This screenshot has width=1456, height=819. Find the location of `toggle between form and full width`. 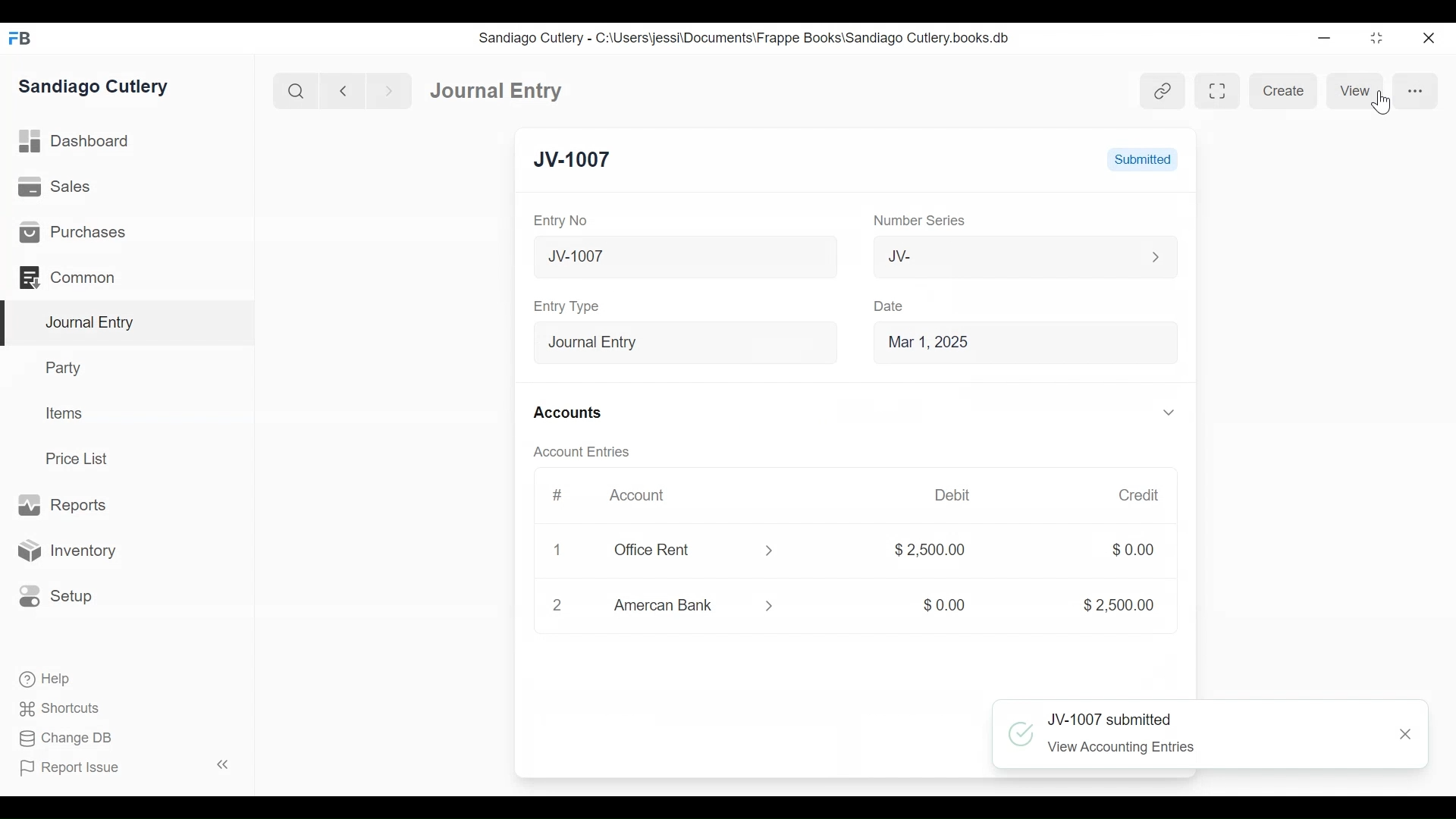

toggle between form and full width is located at coordinates (1216, 91).